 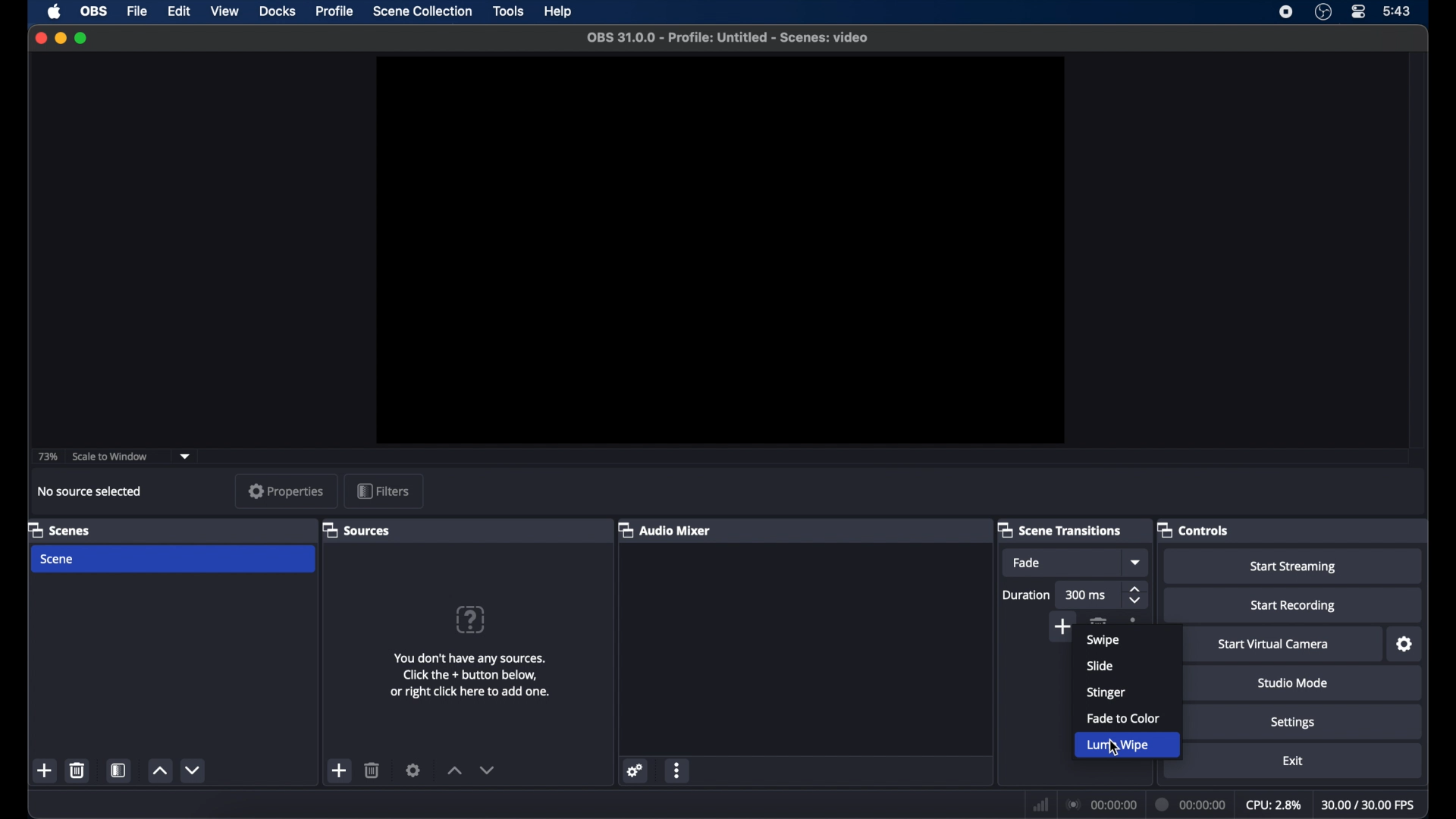 I want to click on fade, so click(x=1027, y=563).